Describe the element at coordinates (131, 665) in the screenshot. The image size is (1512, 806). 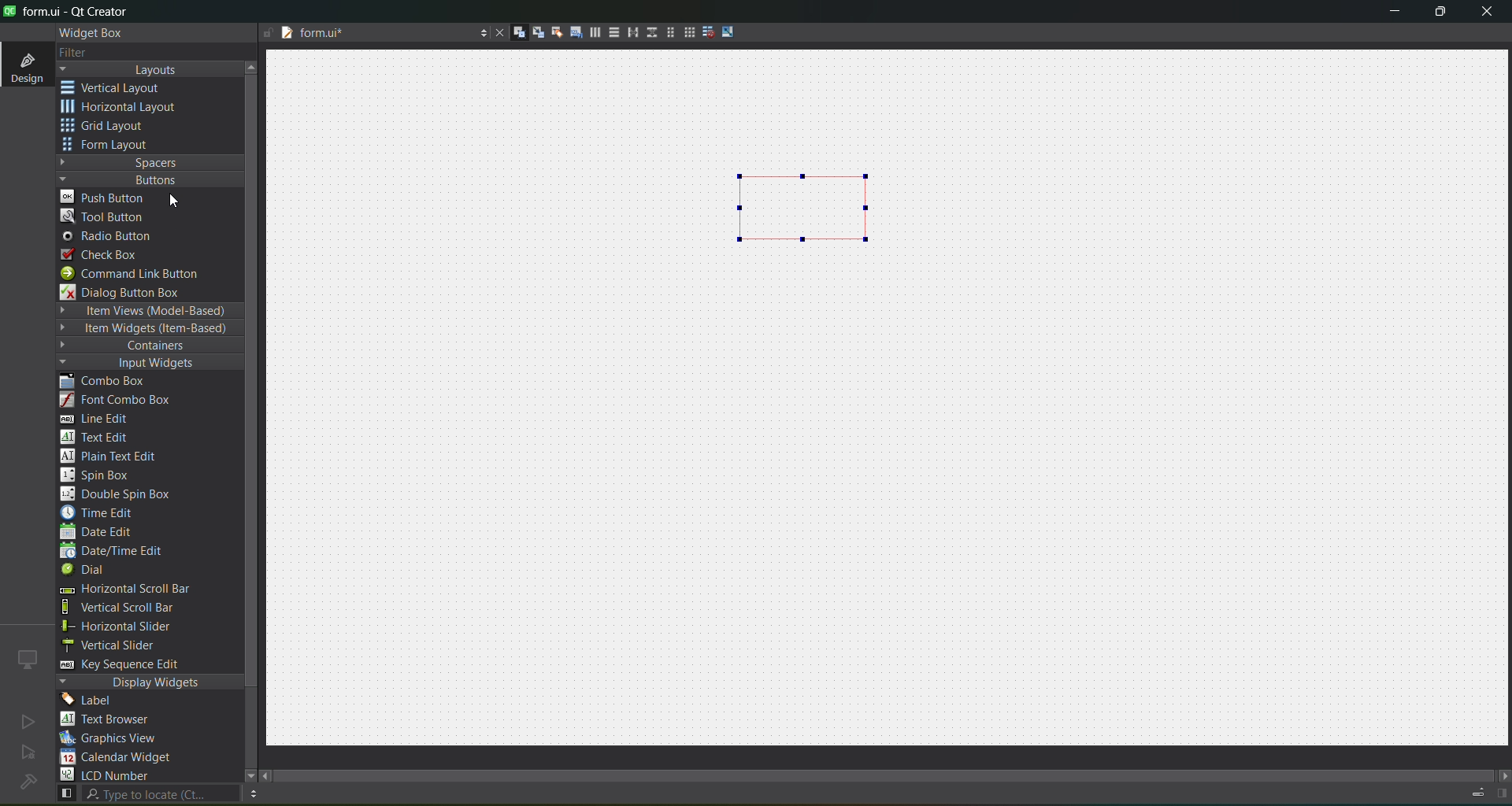
I see `key sequence edit` at that location.